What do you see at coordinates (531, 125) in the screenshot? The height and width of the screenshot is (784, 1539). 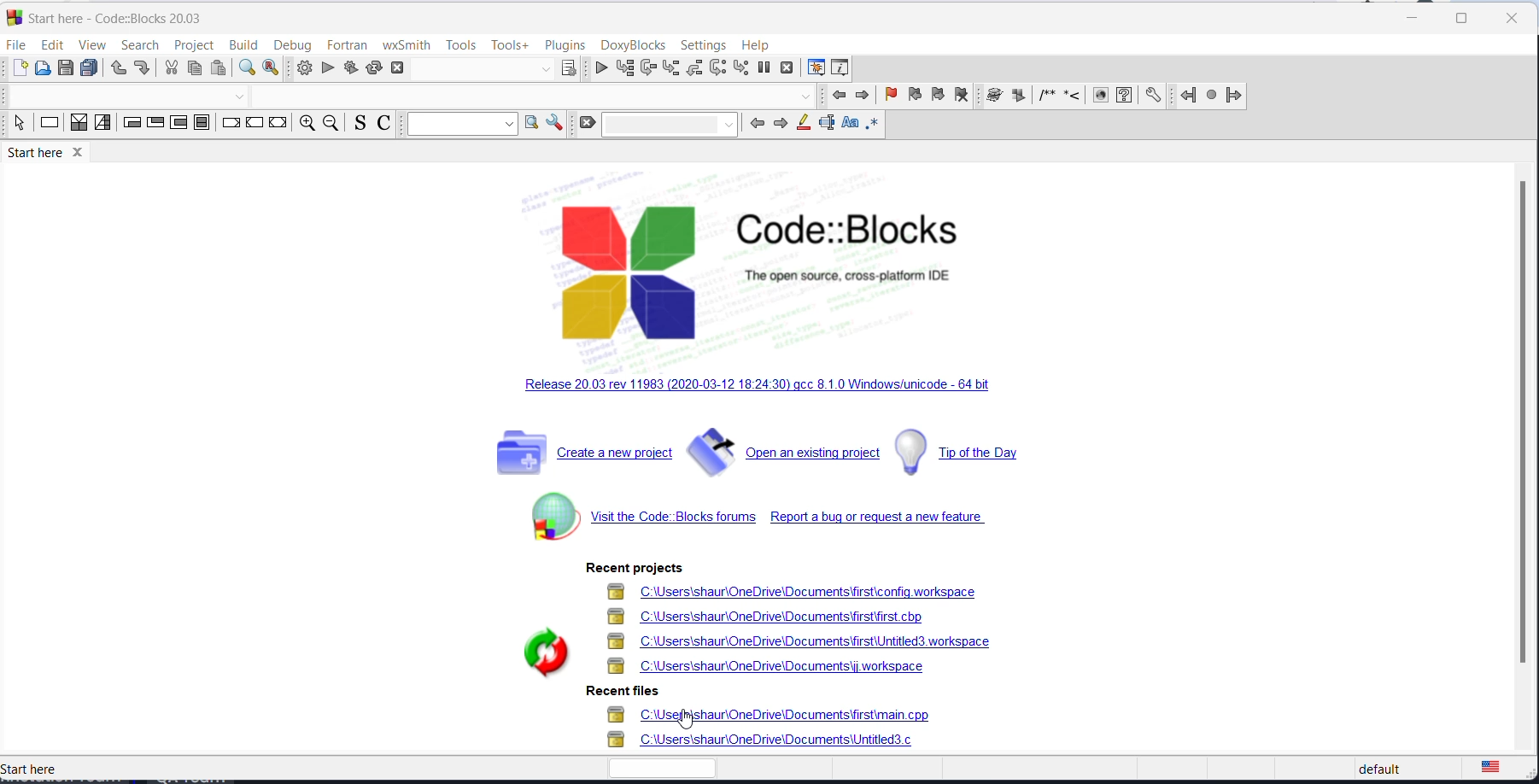 I see `open window` at bounding box center [531, 125].